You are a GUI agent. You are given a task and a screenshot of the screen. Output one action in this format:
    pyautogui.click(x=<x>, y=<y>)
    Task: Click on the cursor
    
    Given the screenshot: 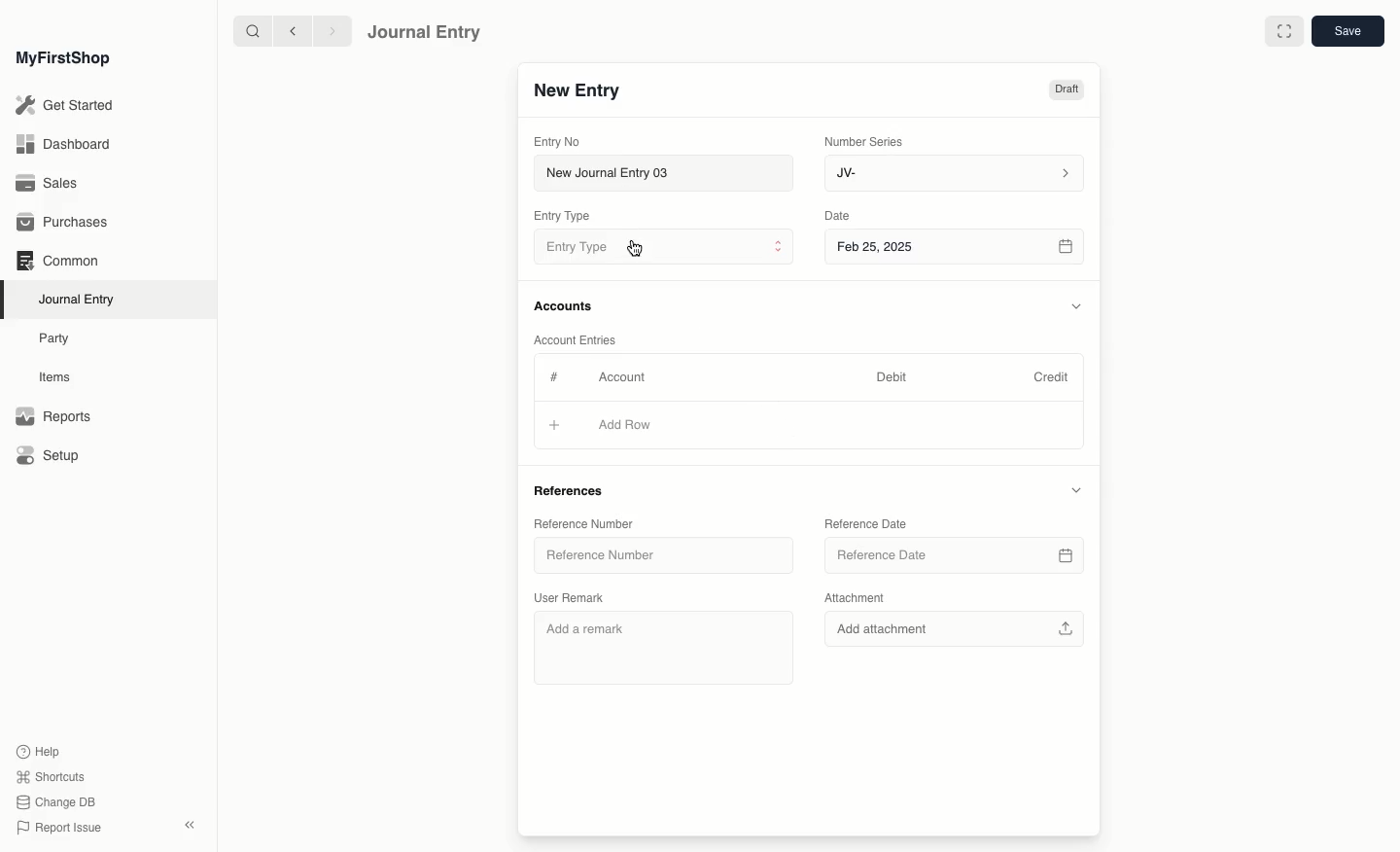 What is the action you would take?
    pyautogui.click(x=634, y=254)
    